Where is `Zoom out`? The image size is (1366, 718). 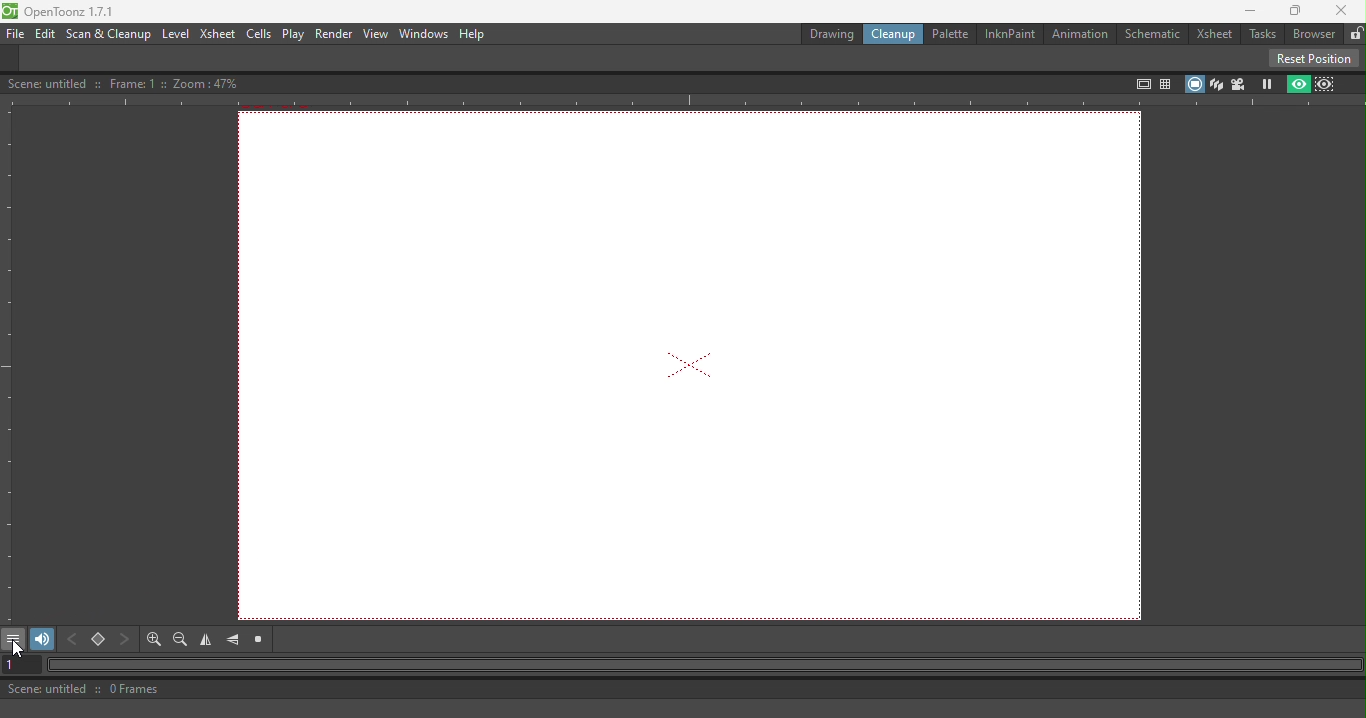 Zoom out is located at coordinates (184, 641).